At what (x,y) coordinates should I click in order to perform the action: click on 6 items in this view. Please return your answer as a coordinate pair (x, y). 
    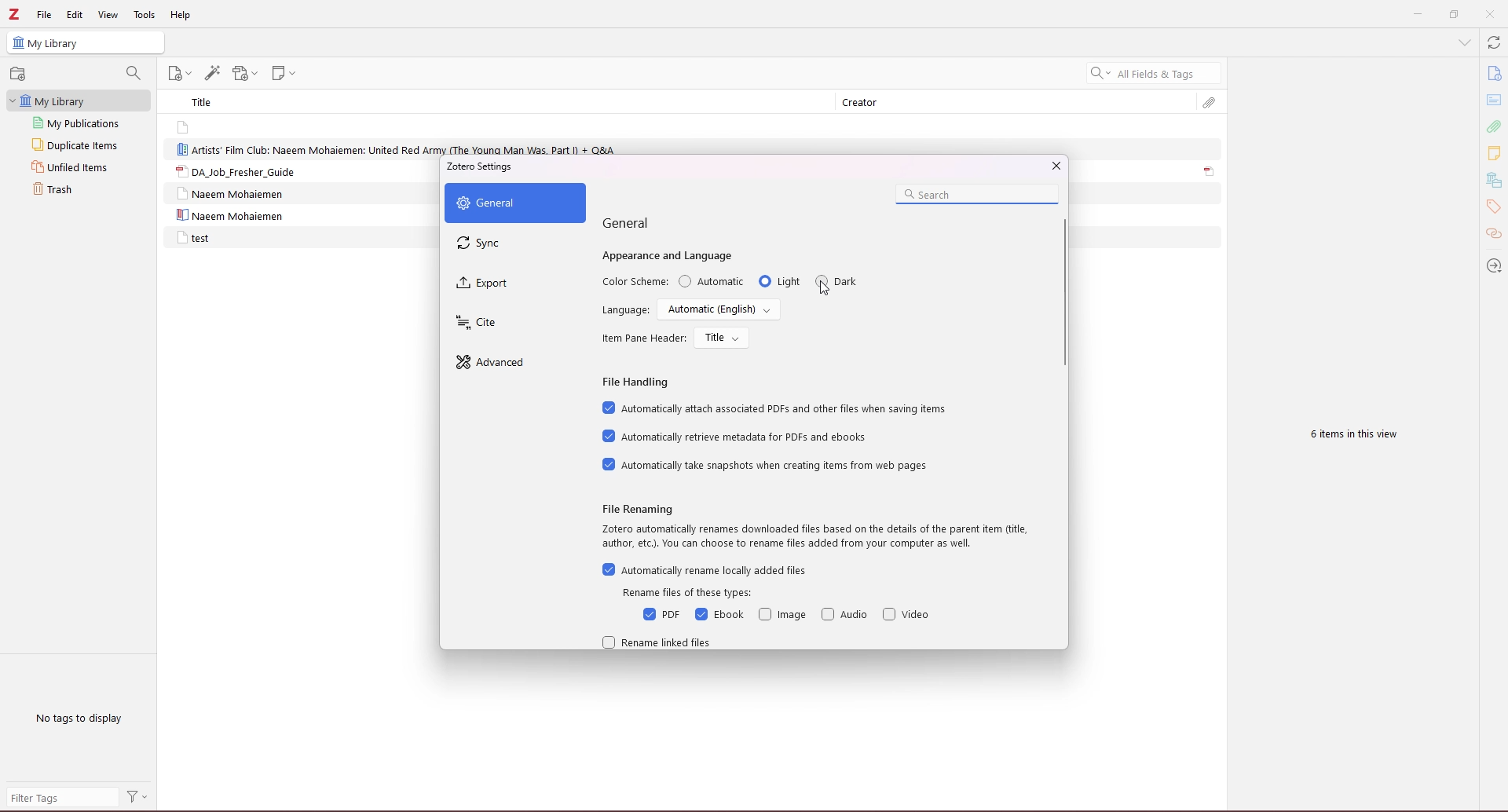
    Looking at the image, I should click on (1349, 436).